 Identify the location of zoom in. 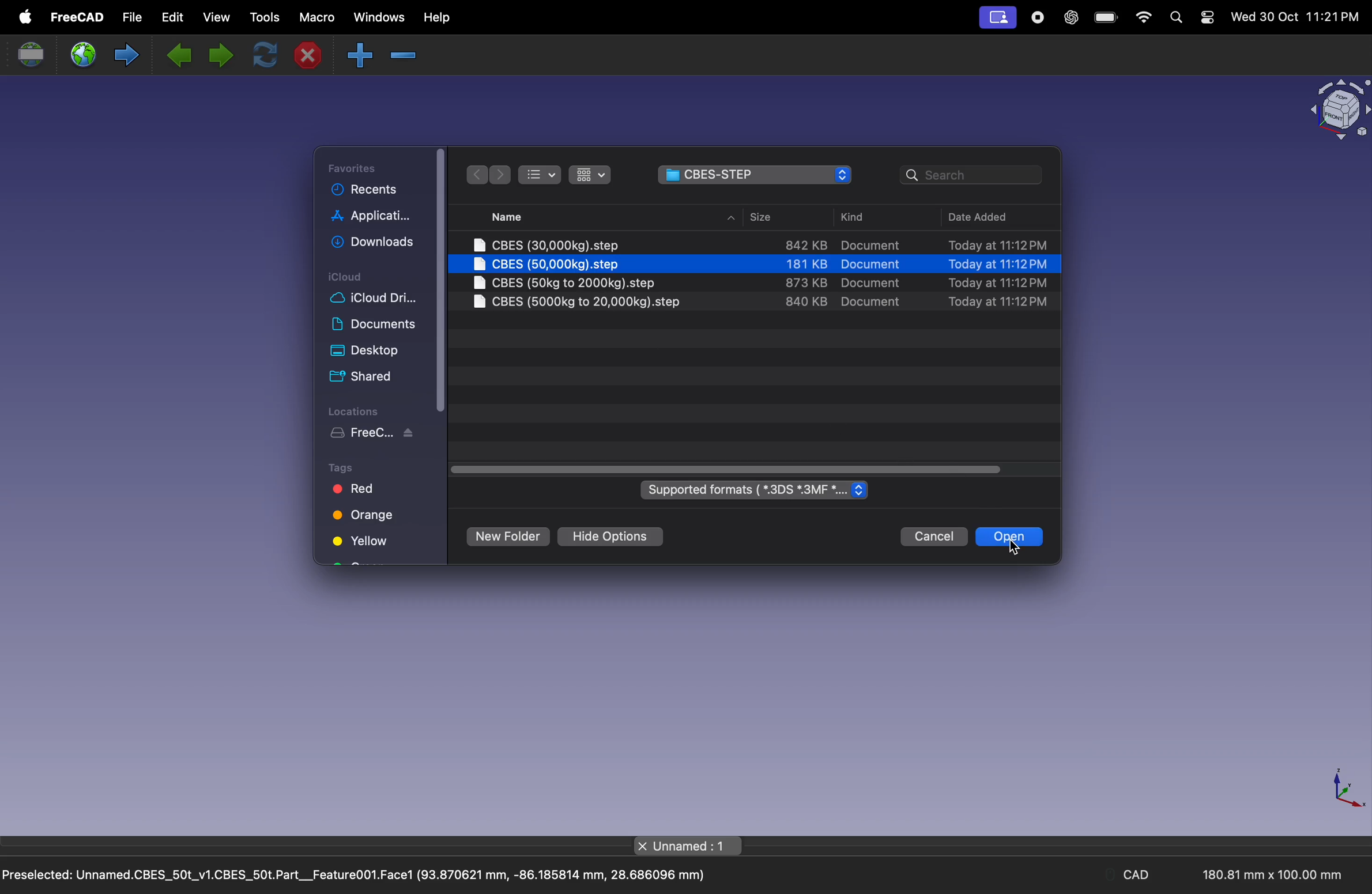
(407, 55).